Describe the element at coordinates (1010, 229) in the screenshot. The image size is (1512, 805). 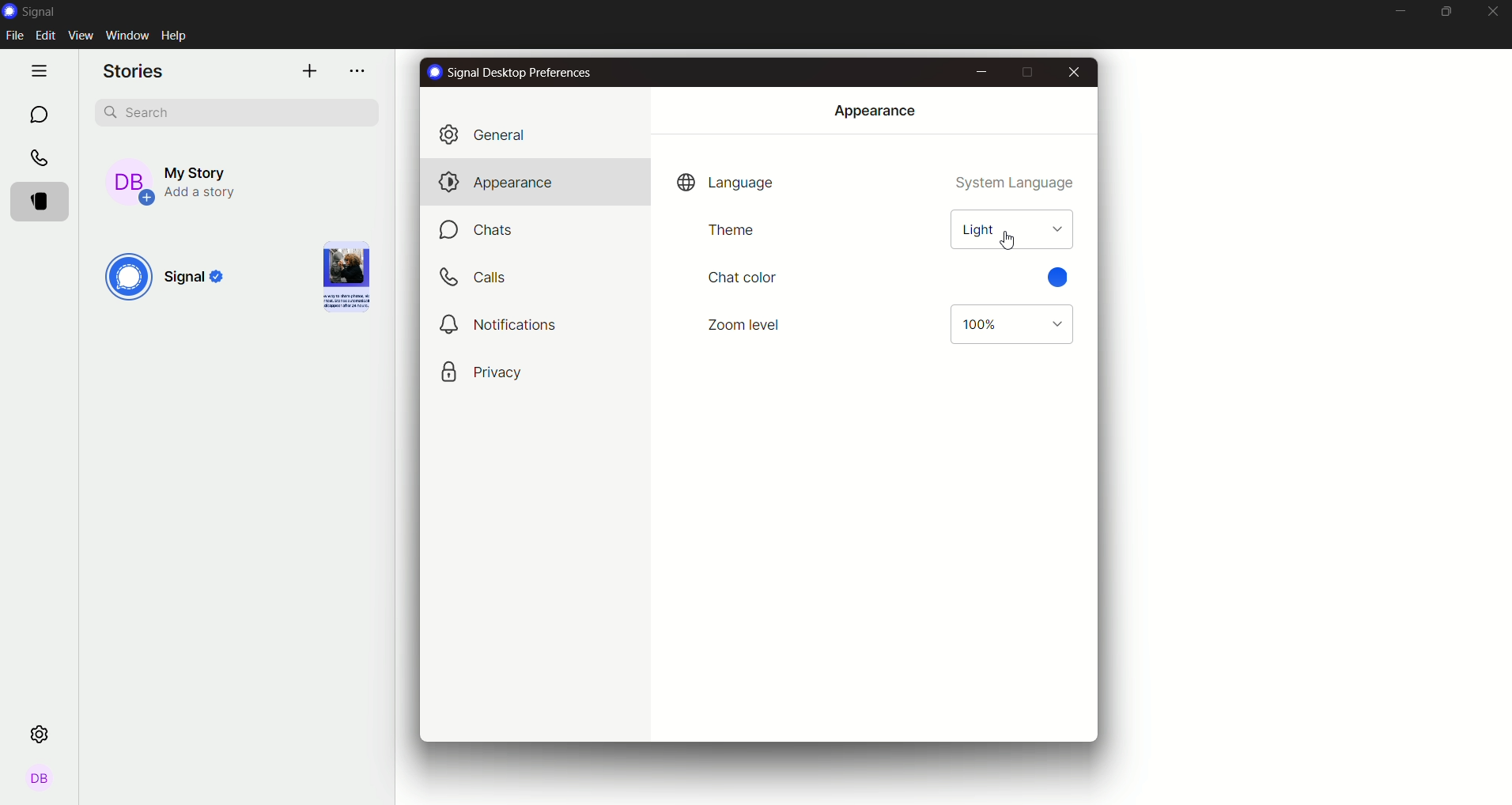
I see `light` at that location.